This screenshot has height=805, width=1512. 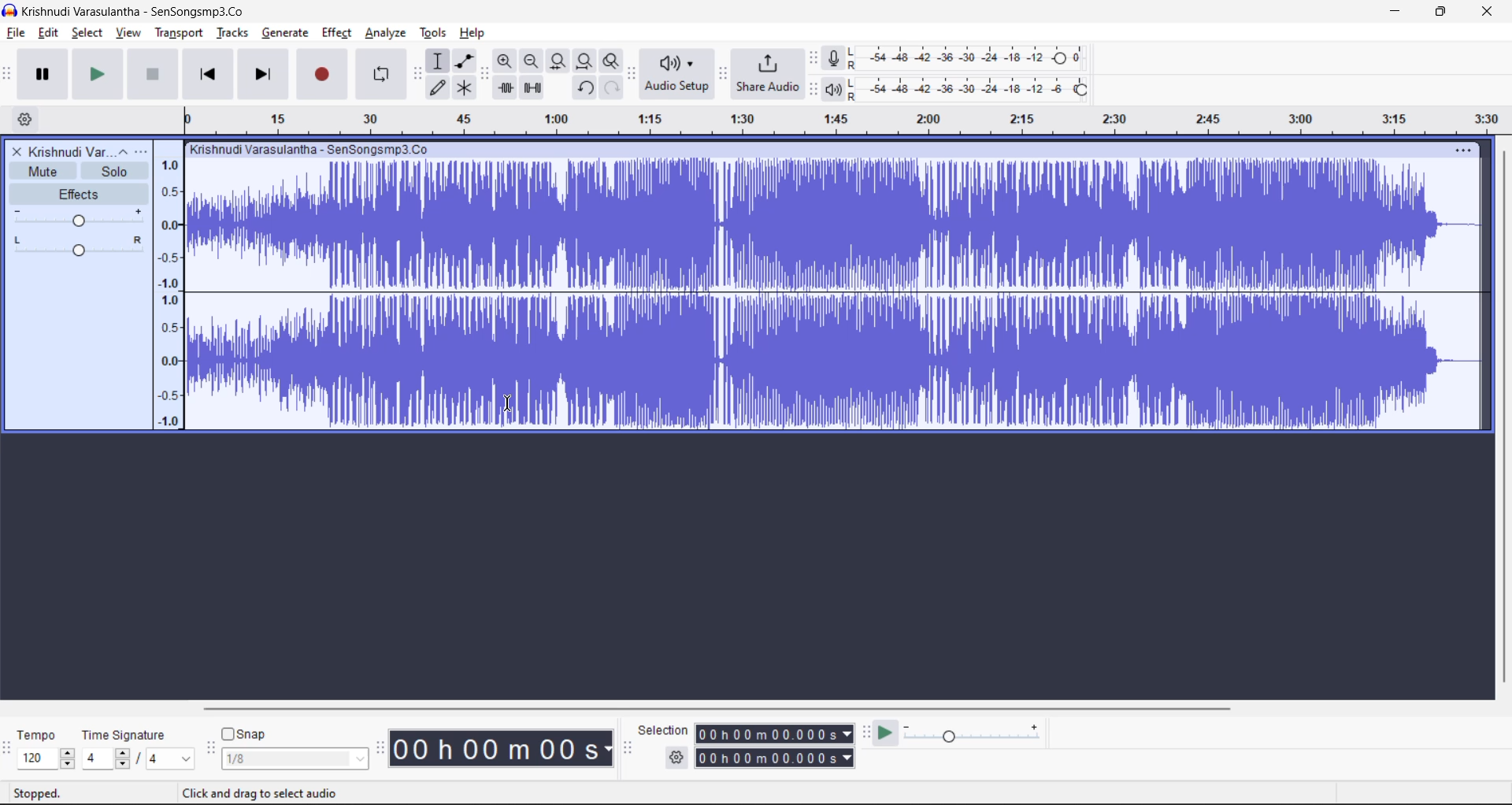 I want to click on share audio, so click(x=769, y=72).